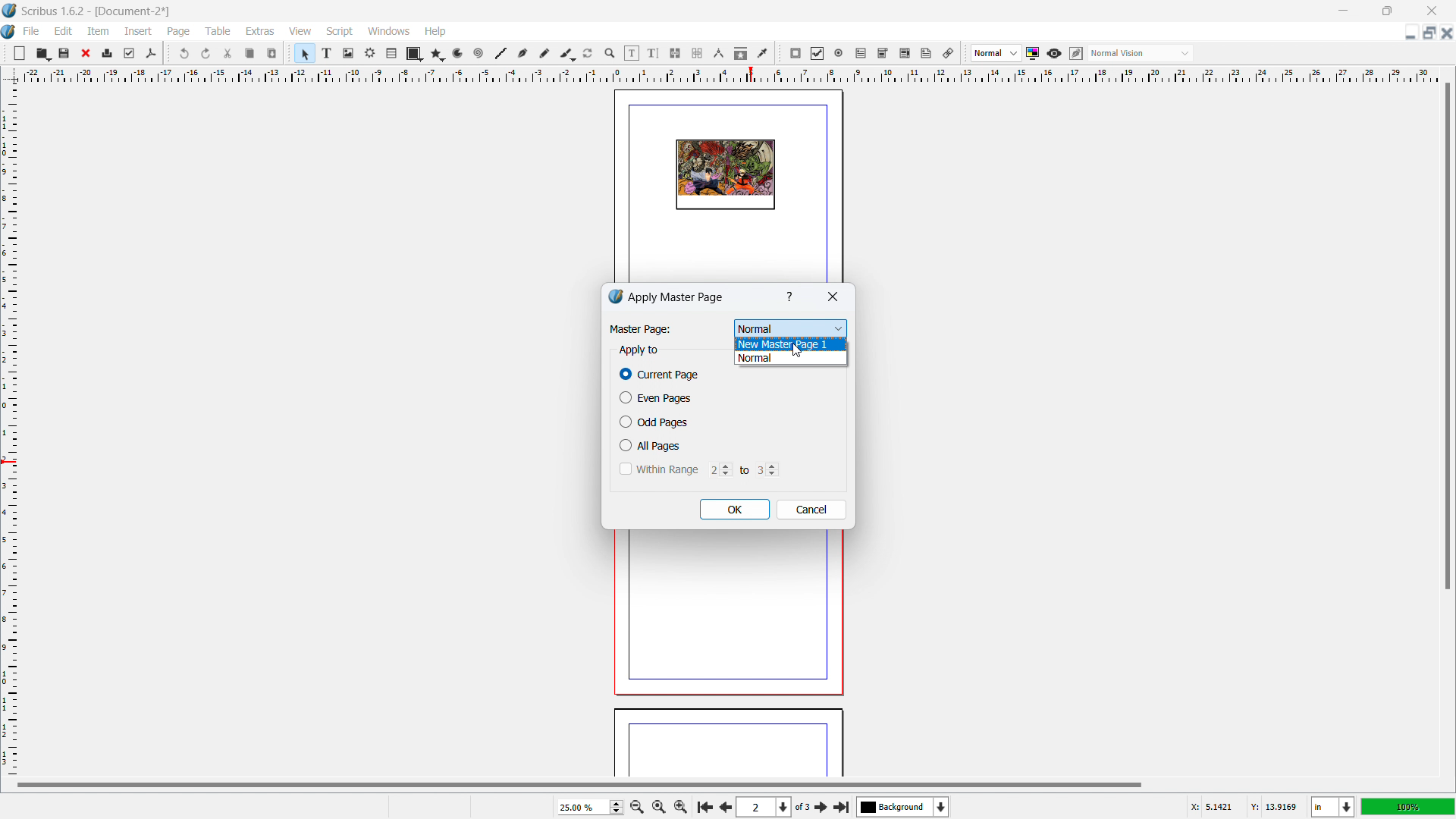  Describe the element at coordinates (639, 329) in the screenshot. I see `Master Page` at that location.